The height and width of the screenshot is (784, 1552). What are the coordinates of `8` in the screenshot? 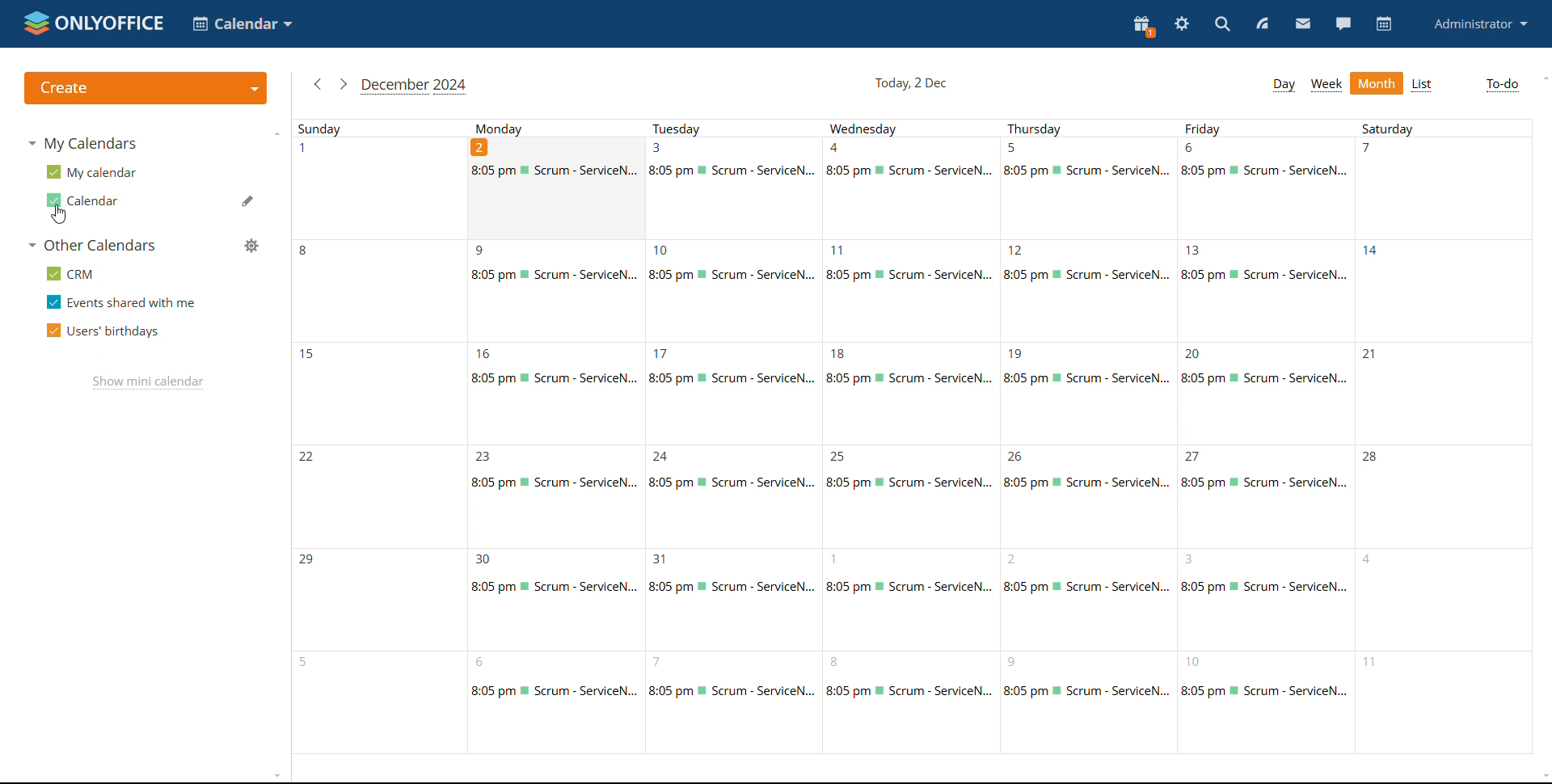 It's located at (1088, 704).